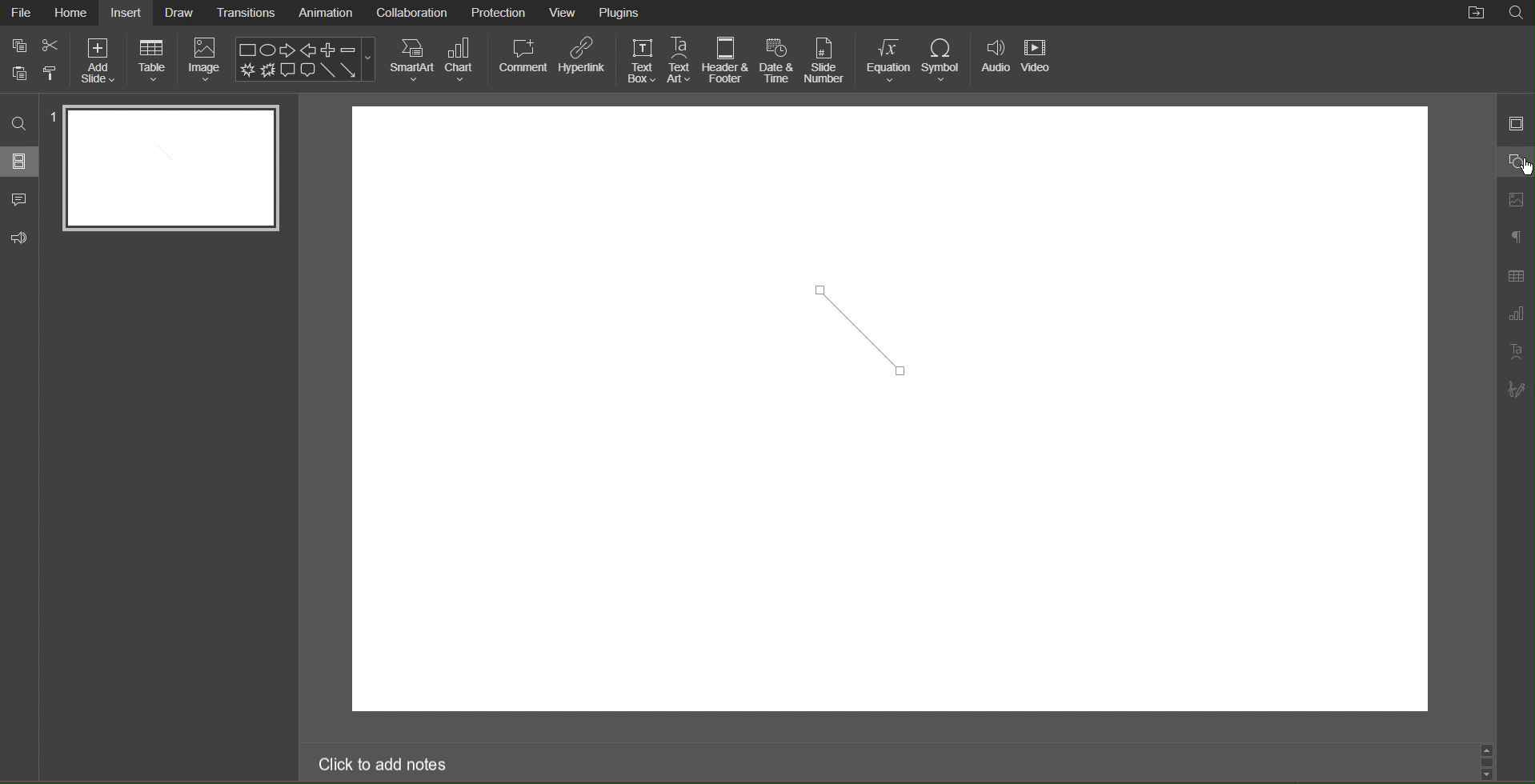 The width and height of the screenshot is (1535, 784). What do you see at coordinates (826, 59) in the screenshot?
I see `Slide Number ` at bounding box center [826, 59].